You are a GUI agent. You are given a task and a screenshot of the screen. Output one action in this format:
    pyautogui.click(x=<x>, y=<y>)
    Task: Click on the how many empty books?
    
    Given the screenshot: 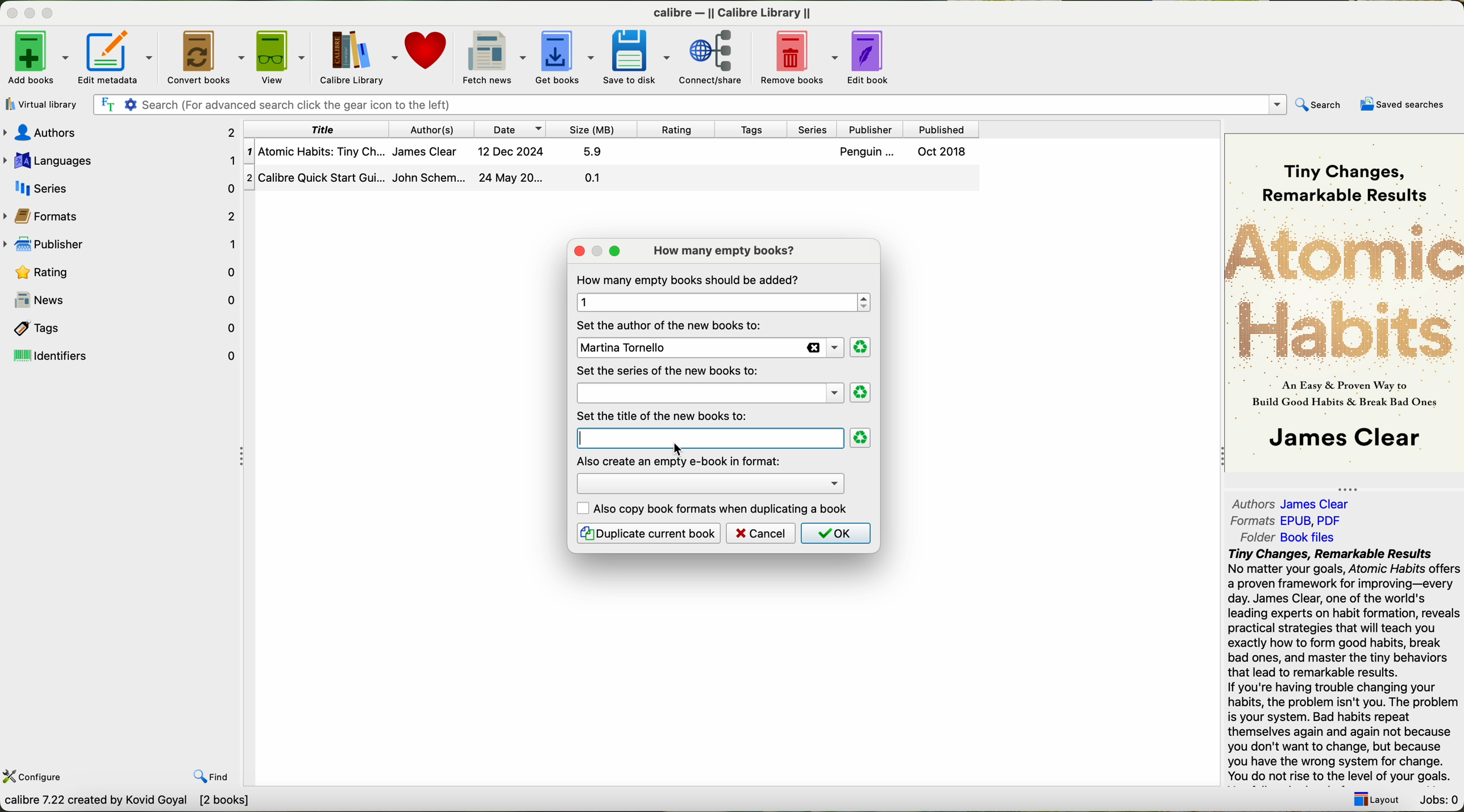 What is the action you would take?
    pyautogui.click(x=727, y=251)
    